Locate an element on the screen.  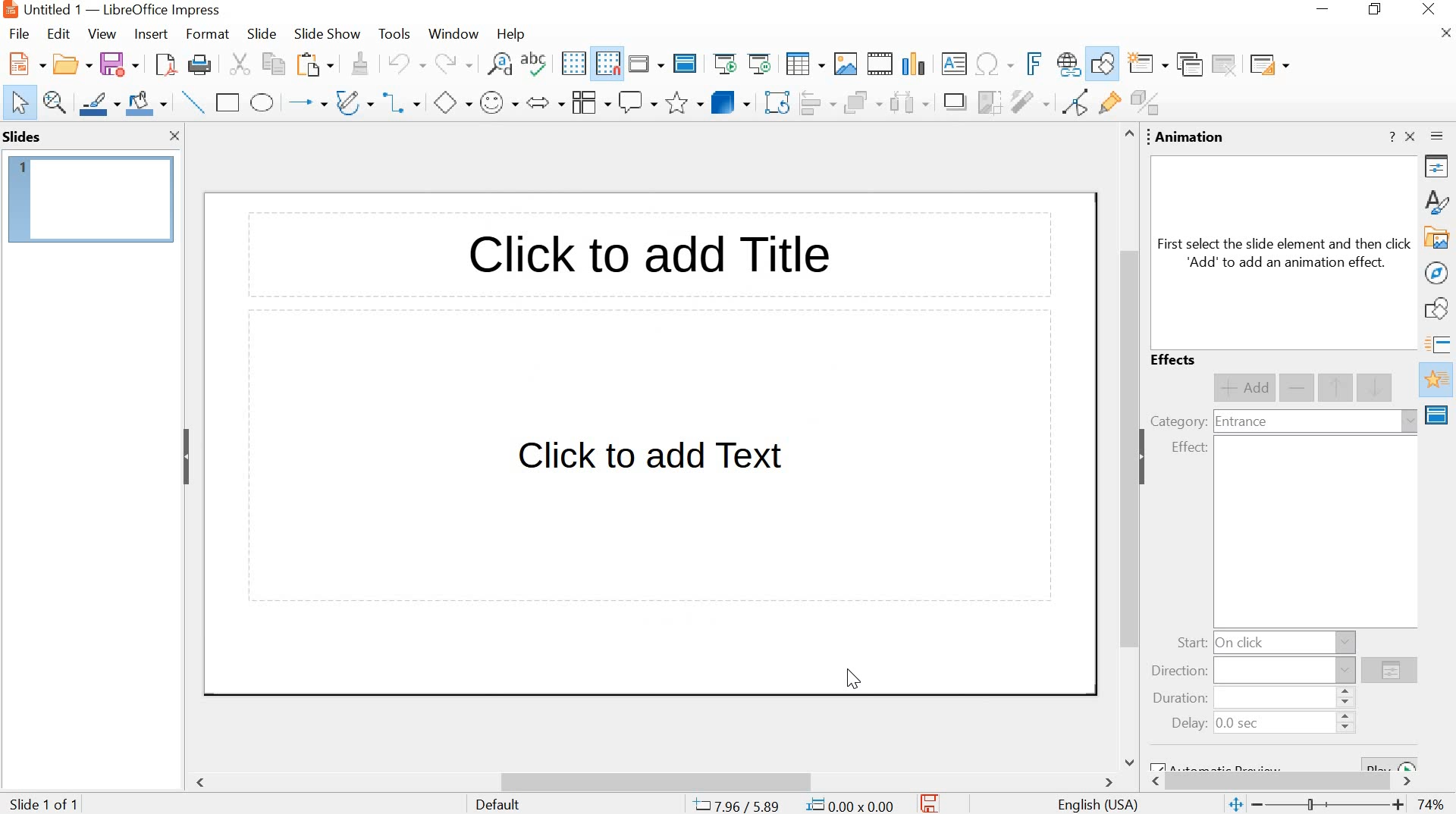
formatting is located at coordinates (358, 64).